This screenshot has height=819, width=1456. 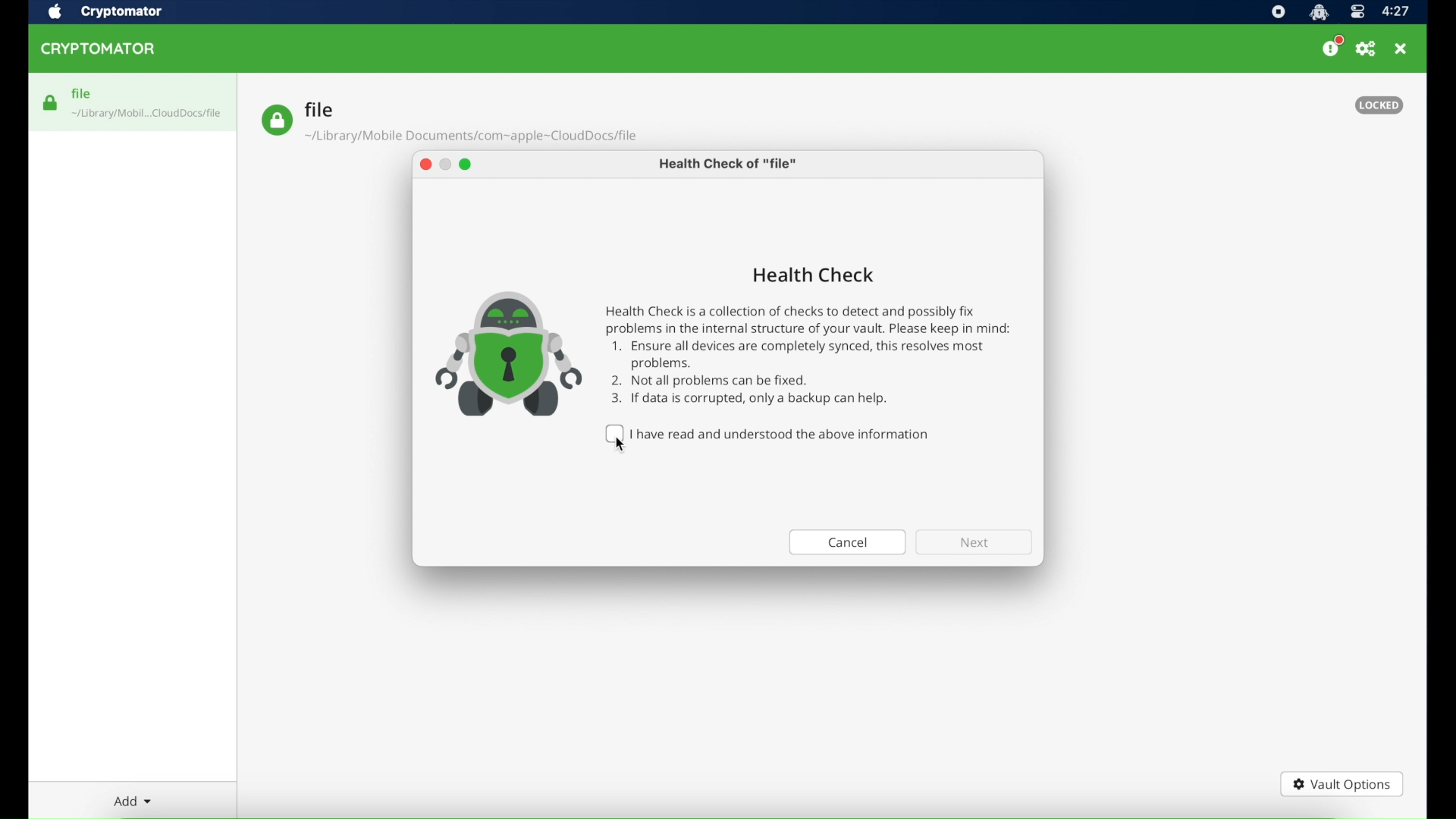 What do you see at coordinates (1397, 11) in the screenshot?
I see `time` at bounding box center [1397, 11].